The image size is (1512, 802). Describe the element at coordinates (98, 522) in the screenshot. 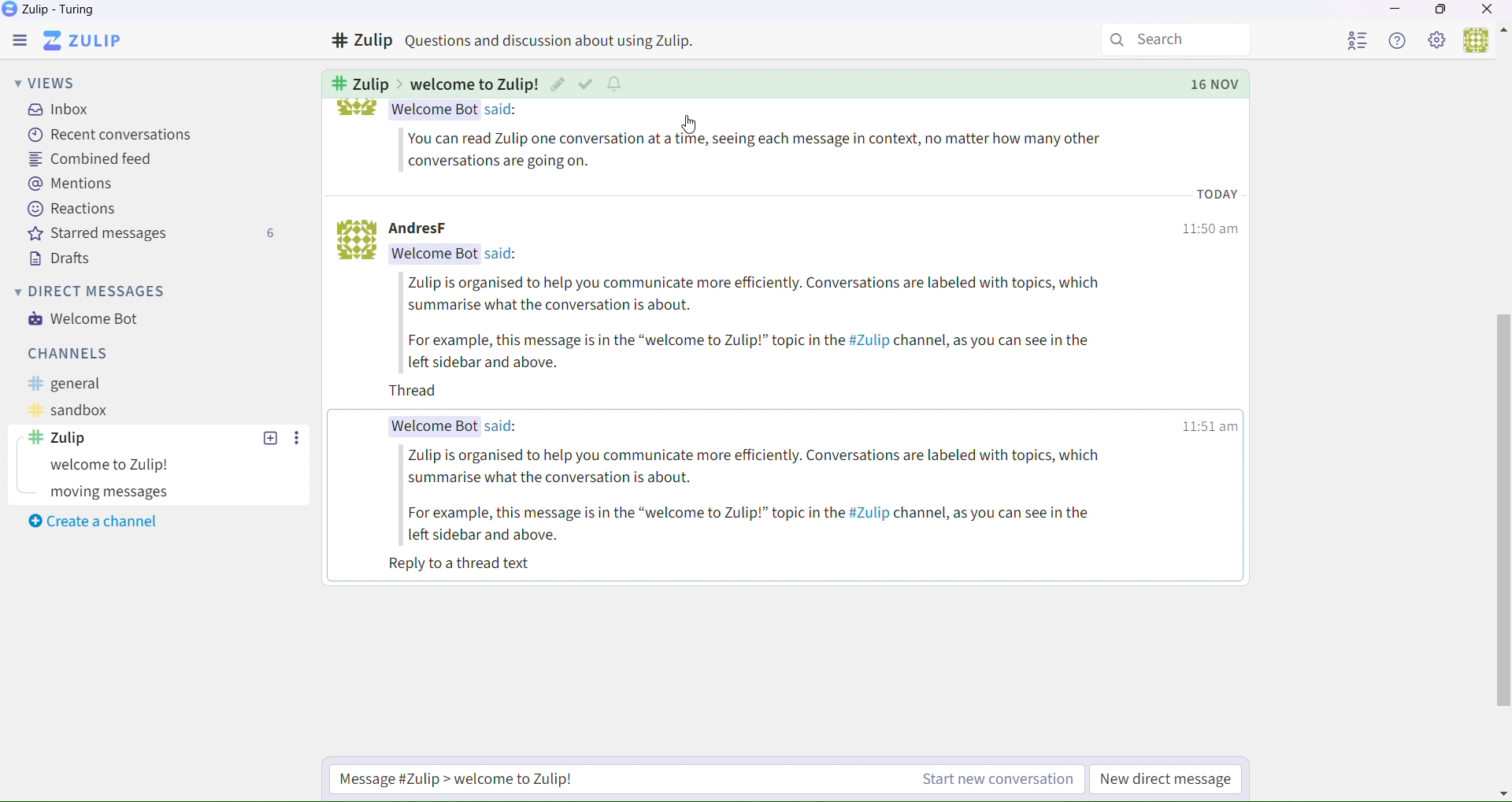

I see `Create a channel` at that location.